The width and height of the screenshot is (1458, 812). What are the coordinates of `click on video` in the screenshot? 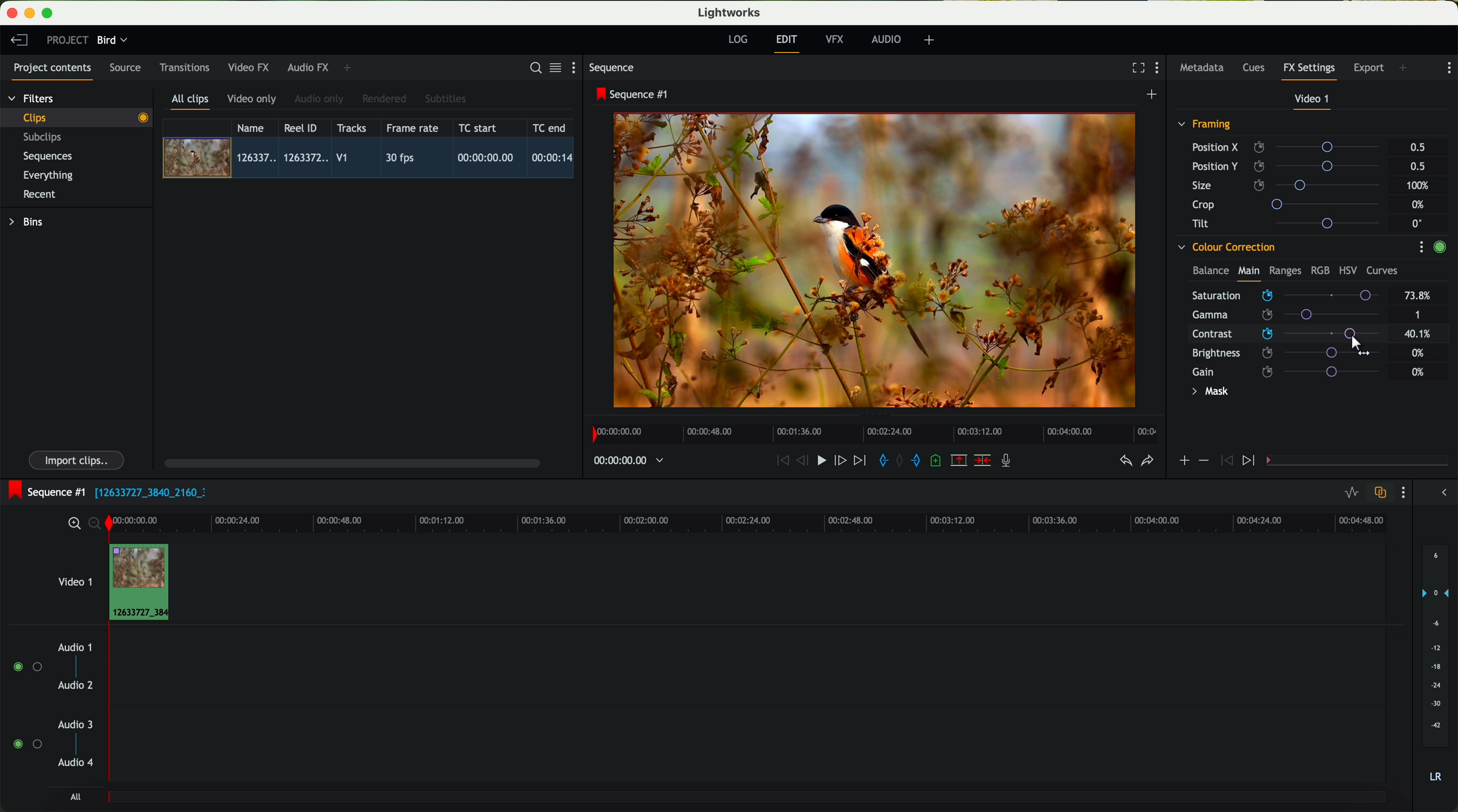 It's located at (372, 160).